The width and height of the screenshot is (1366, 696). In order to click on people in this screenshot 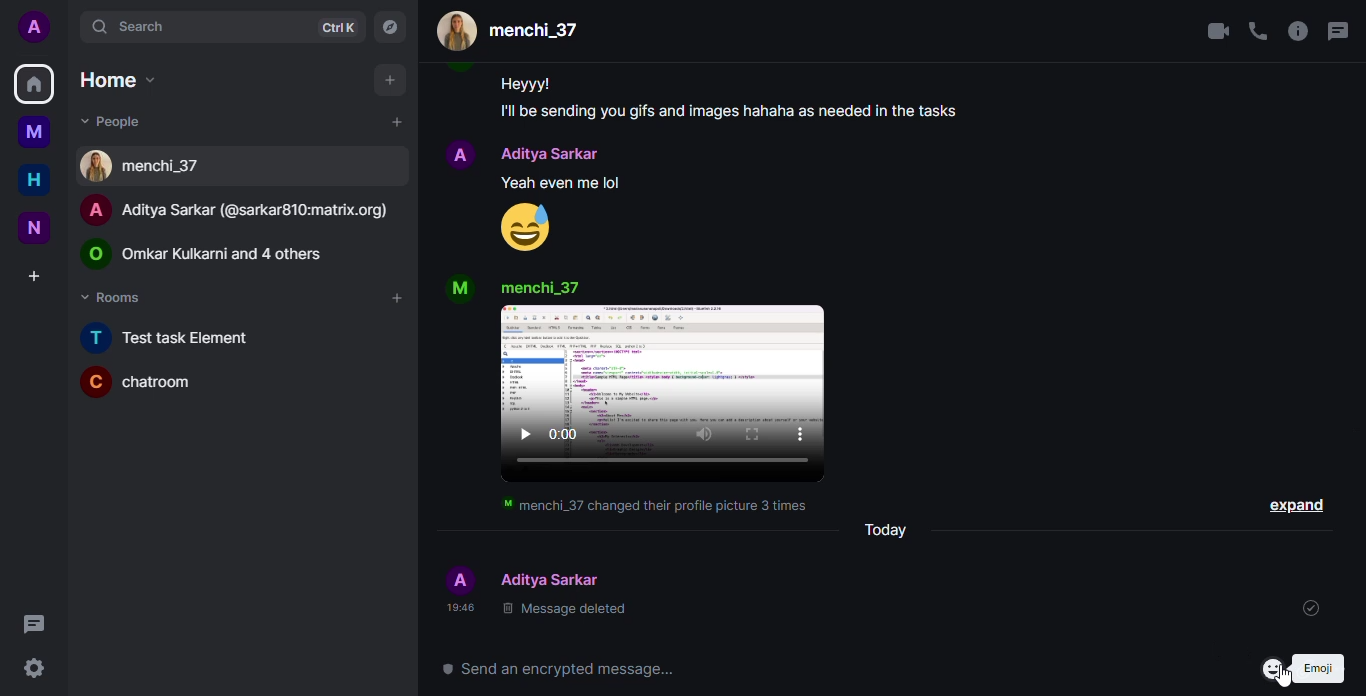, I will do `click(243, 210)`.